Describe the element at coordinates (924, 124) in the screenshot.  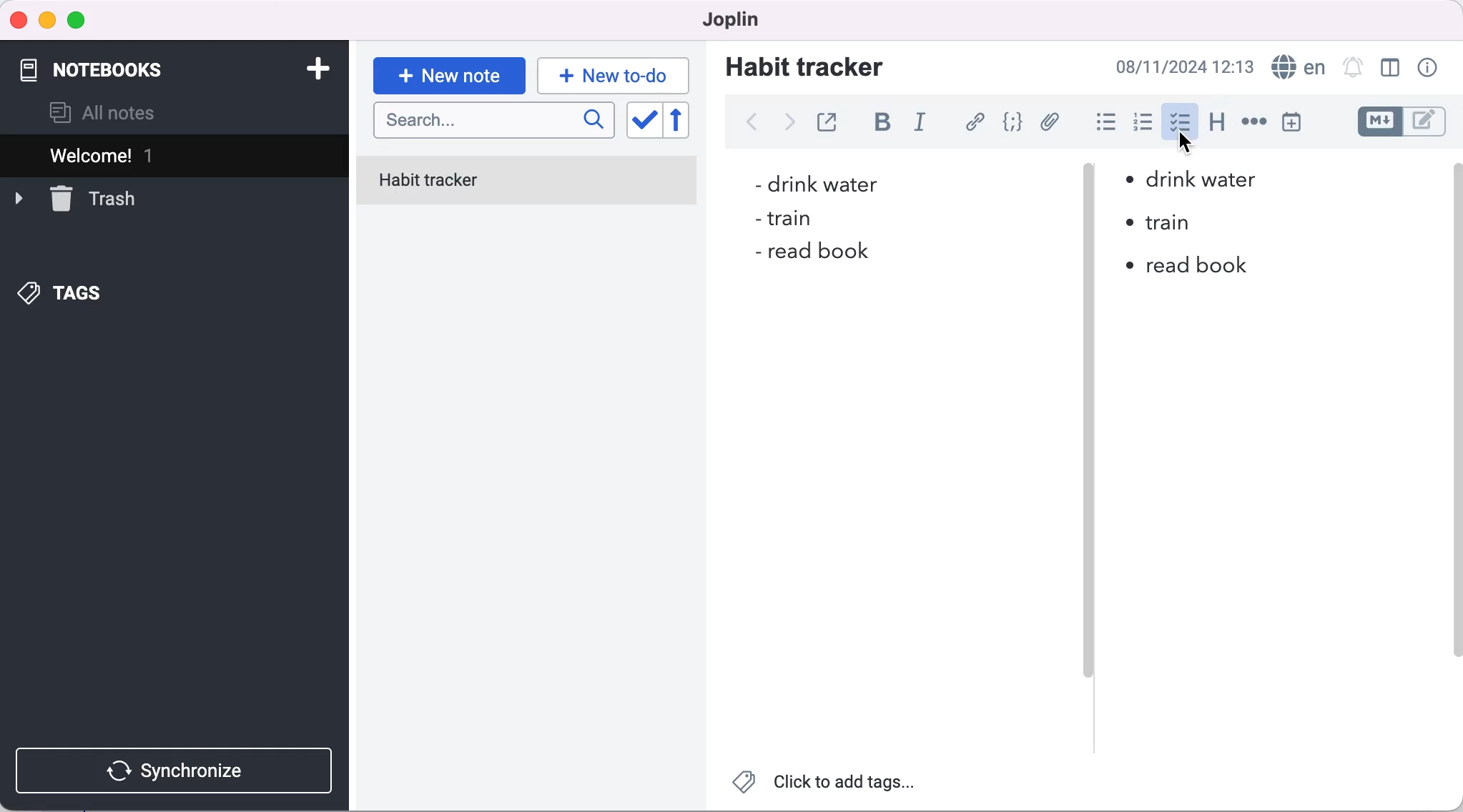
I see `italic` at that location.